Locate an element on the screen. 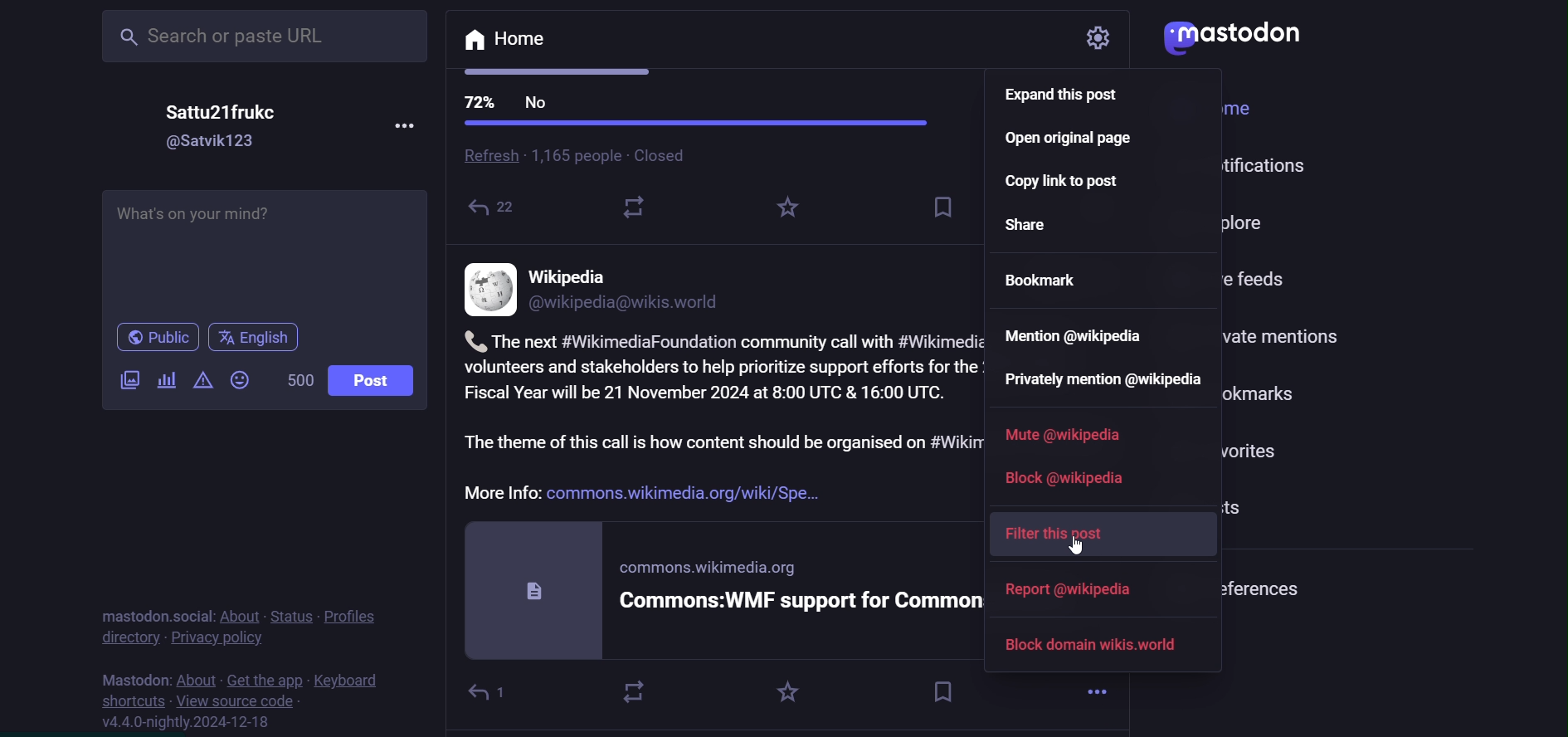 Image resolution: width=1568 pixels, height=737 pixels. closed is located at coordinates (670, 156).